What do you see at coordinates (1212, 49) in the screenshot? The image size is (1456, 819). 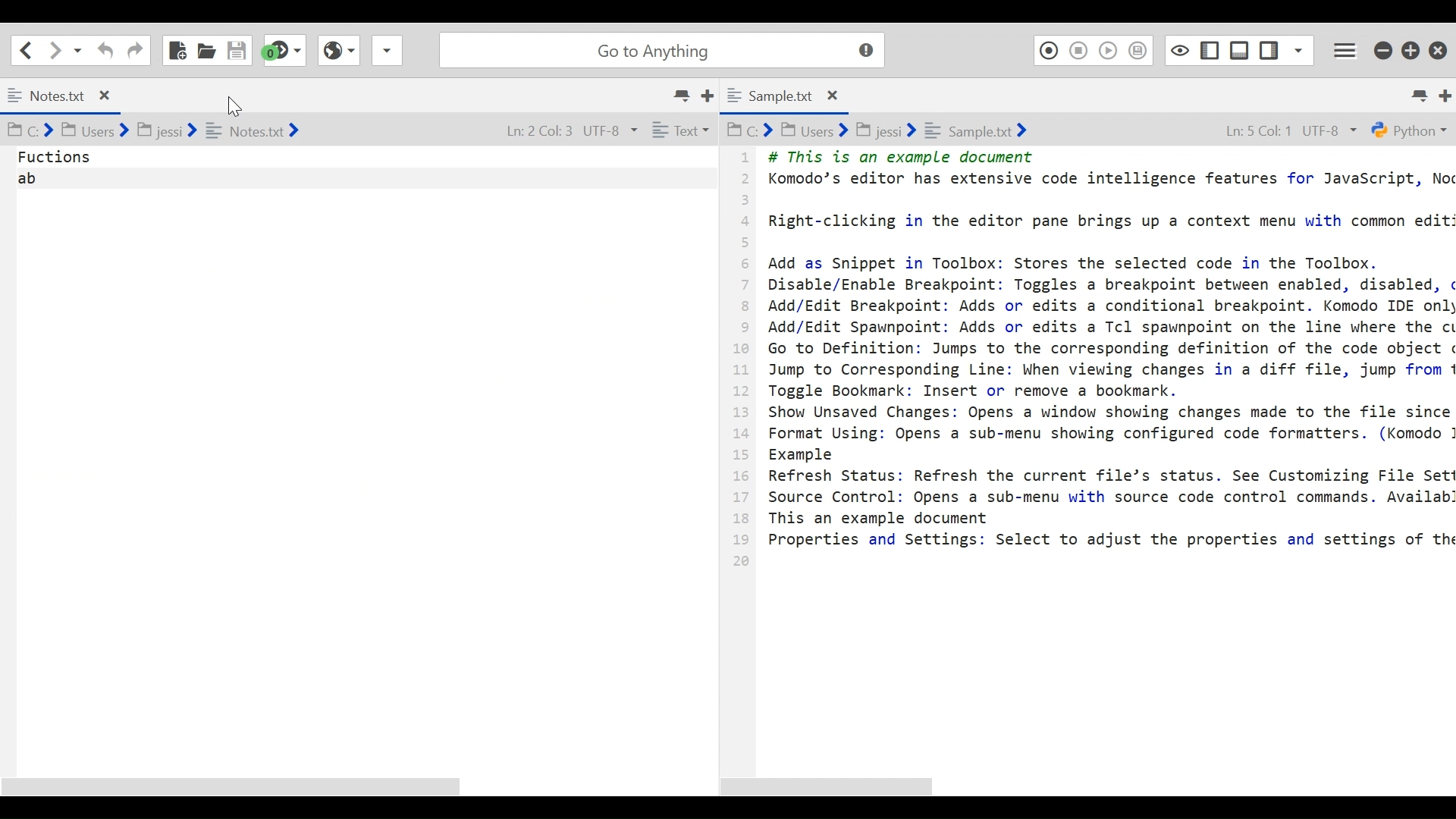 I see `Show/Hide Left Pane` at bounding box center [1212, 49].